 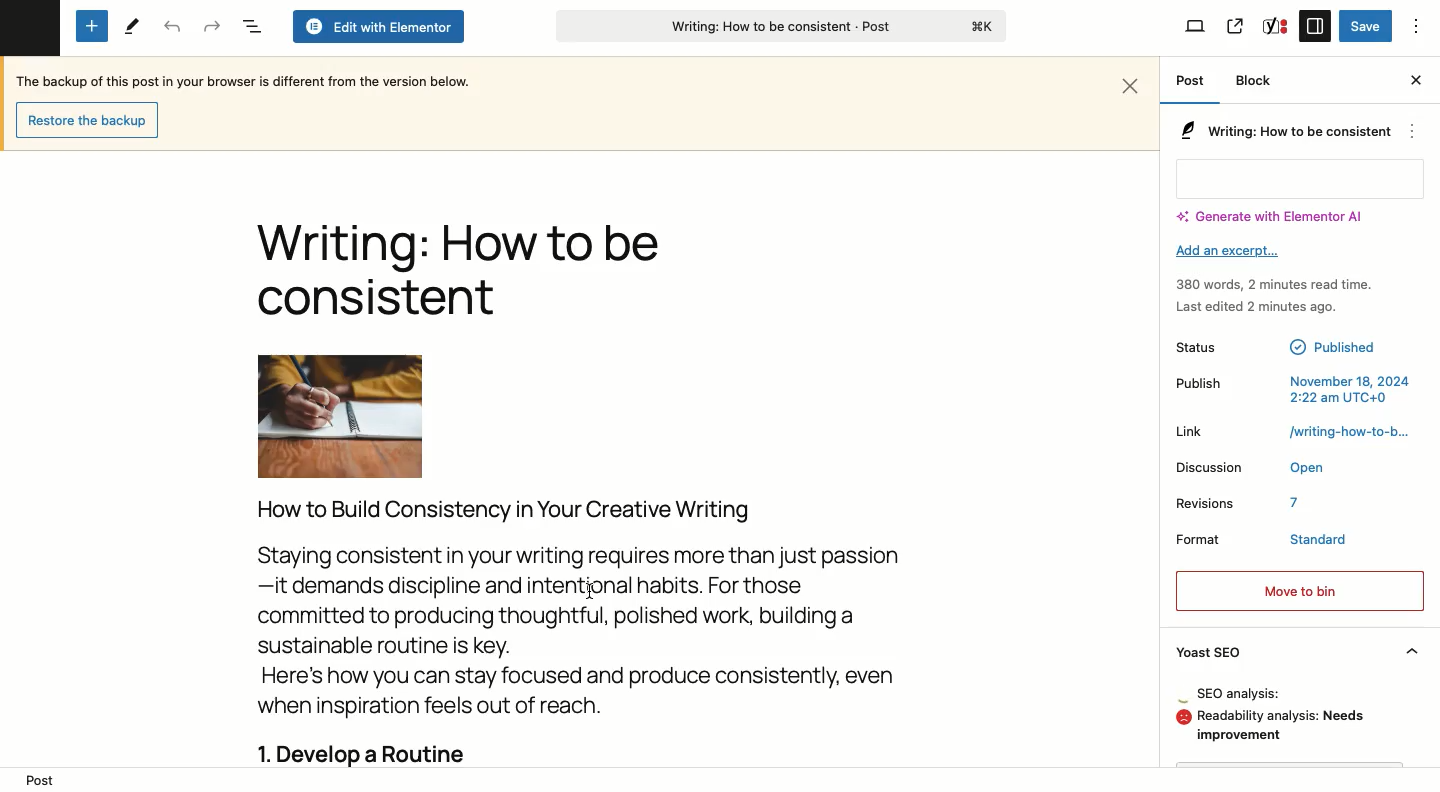 I want to click on Options, so click(x=1417, y=26).